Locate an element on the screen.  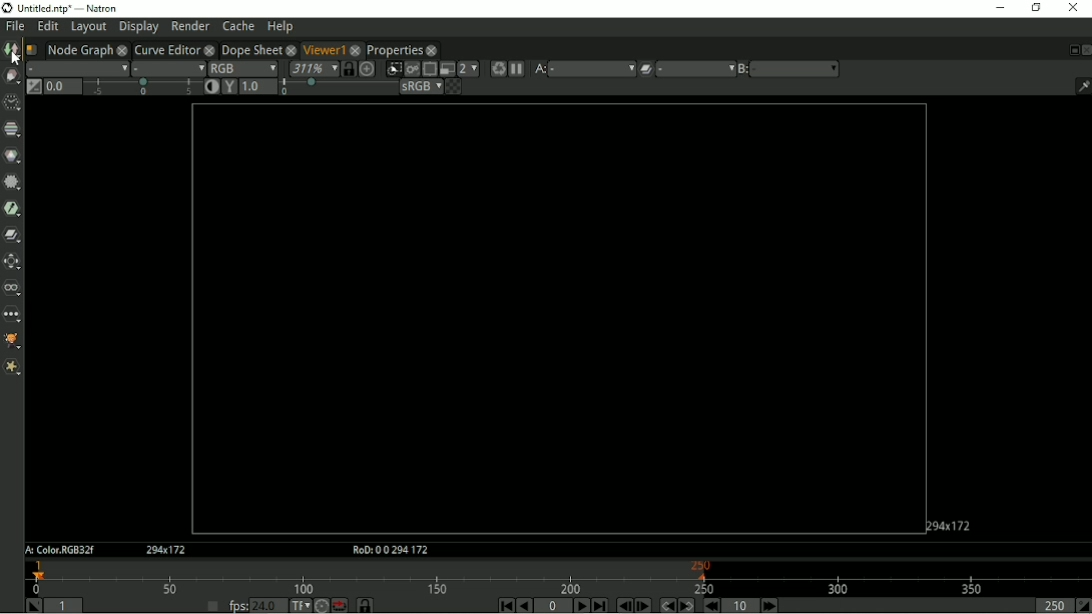
Scales the image is located at coordinates (367, 68).